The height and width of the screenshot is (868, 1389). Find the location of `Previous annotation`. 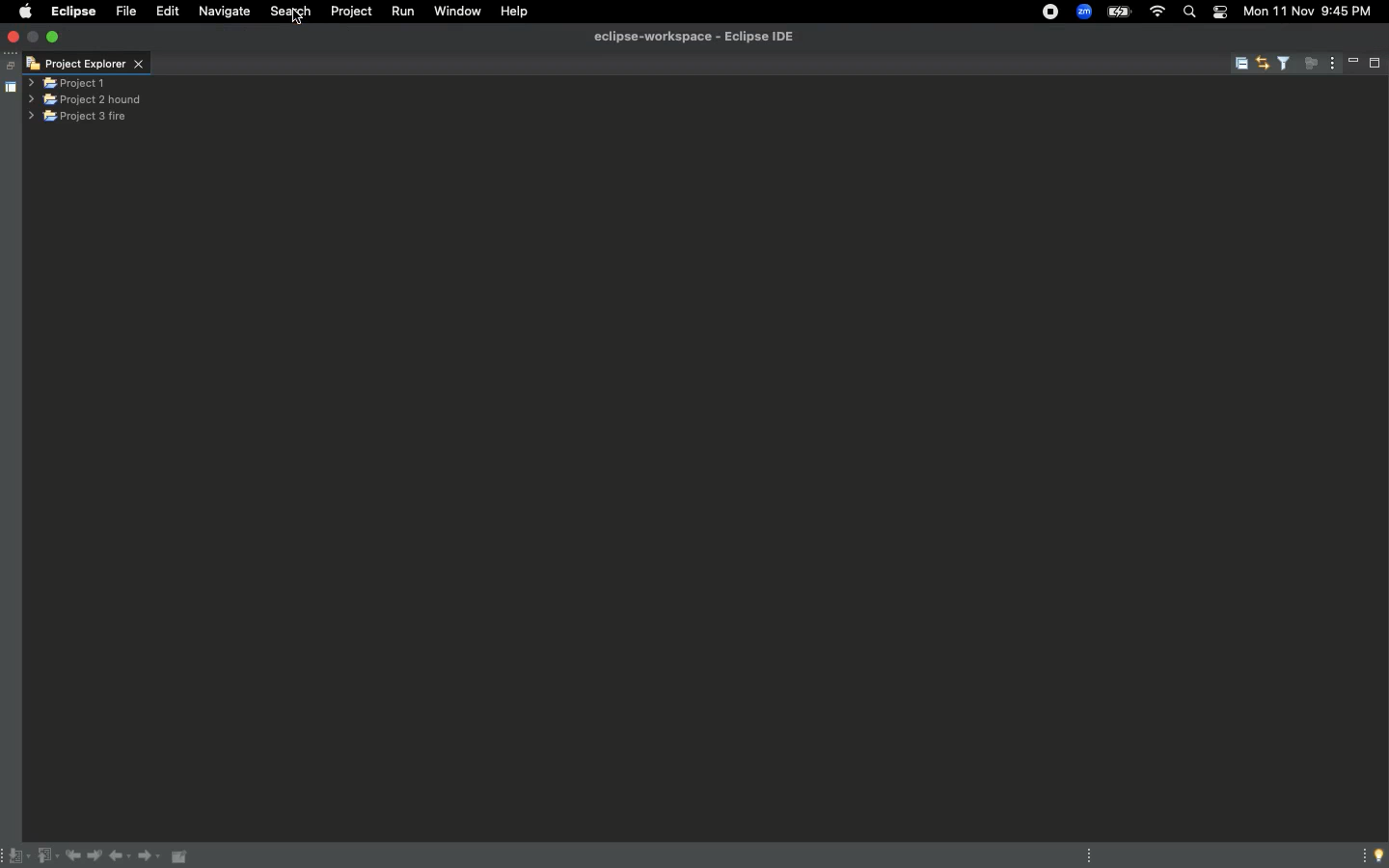

Previous annotation is located at coordinates (46, 856).